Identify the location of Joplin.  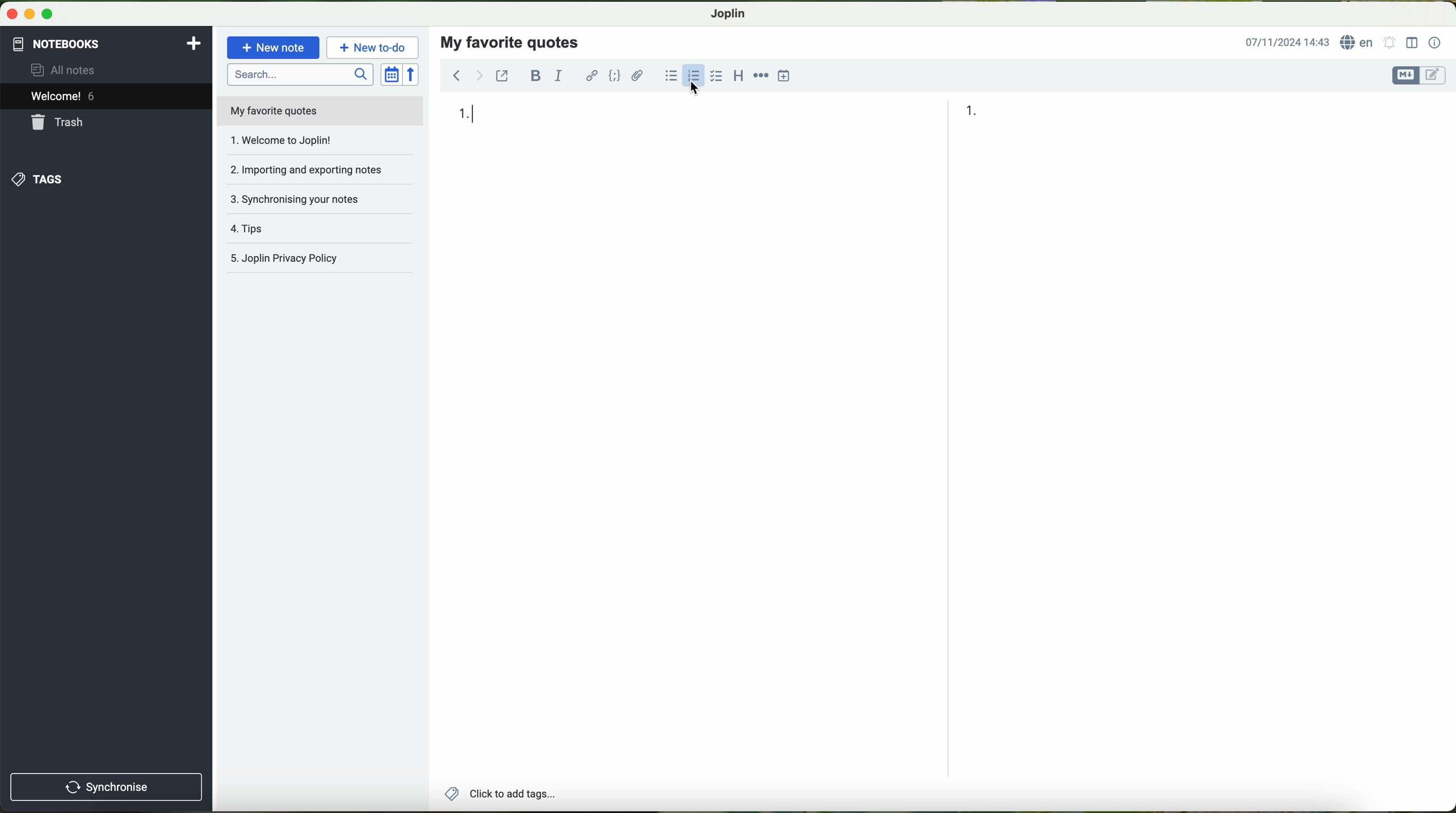
(727, 13).